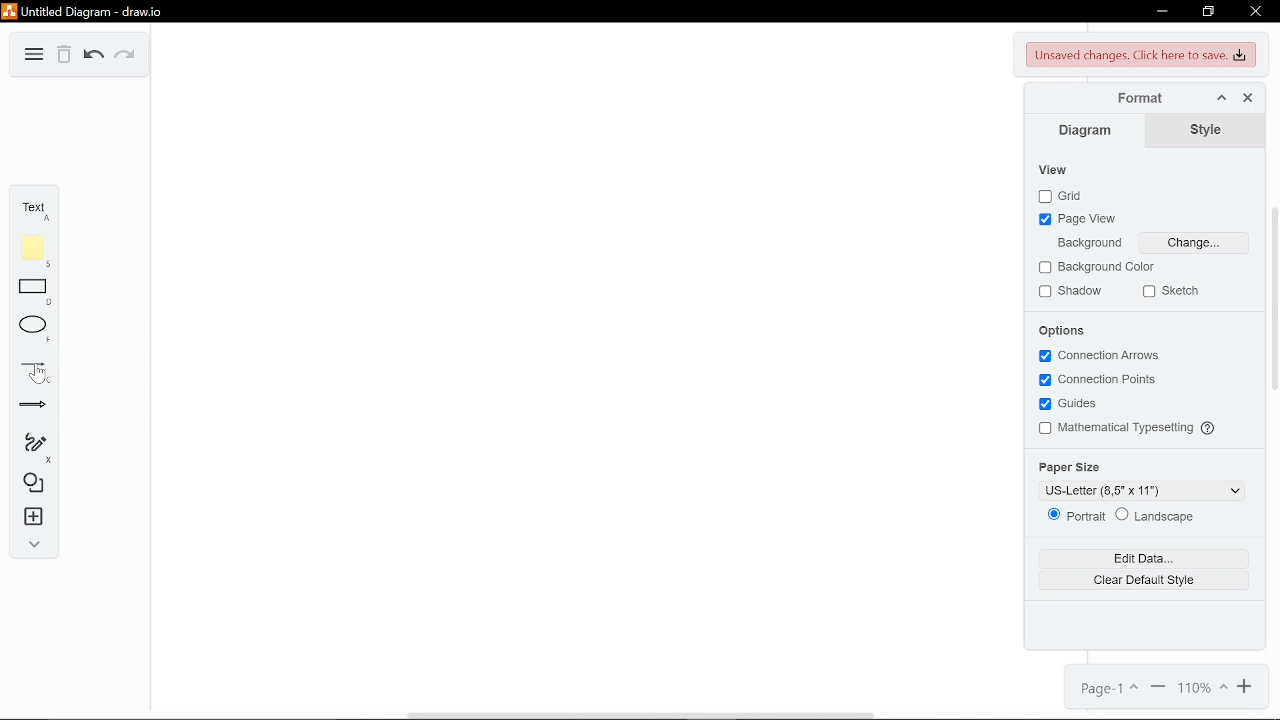 This screenshot has width=1280, height=720. I want to click on Sketch, so click(1170, 292).